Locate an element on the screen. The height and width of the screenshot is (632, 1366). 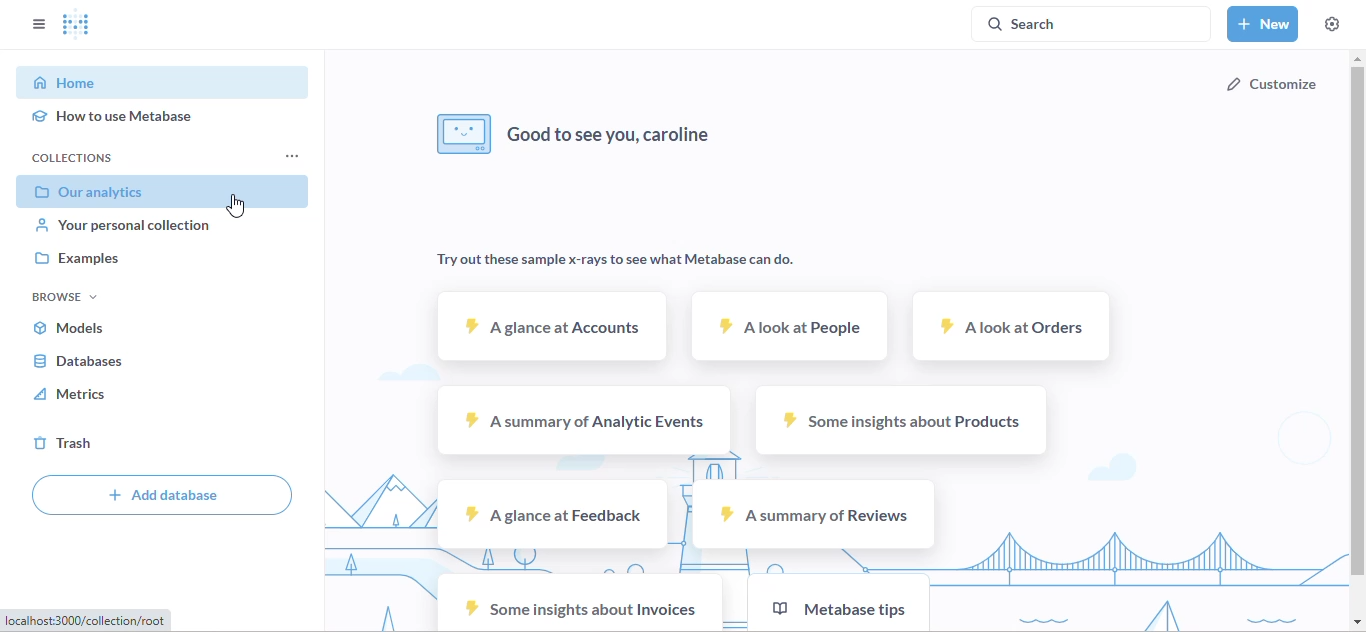
home is located at coordinates (64, 83).